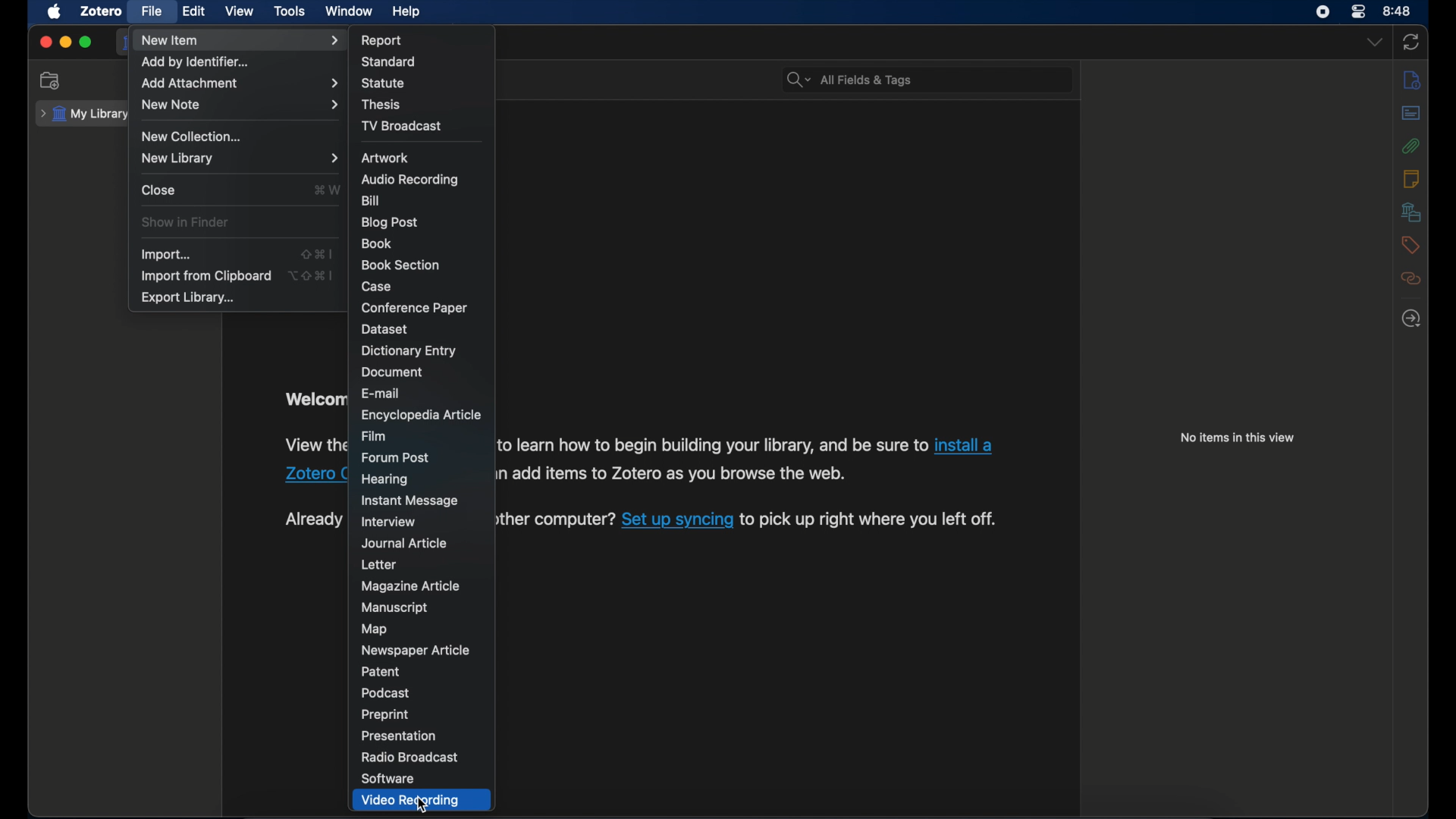  Describe the element at coordinates (383, 84) in the screenshot. I see `statue` at that location.